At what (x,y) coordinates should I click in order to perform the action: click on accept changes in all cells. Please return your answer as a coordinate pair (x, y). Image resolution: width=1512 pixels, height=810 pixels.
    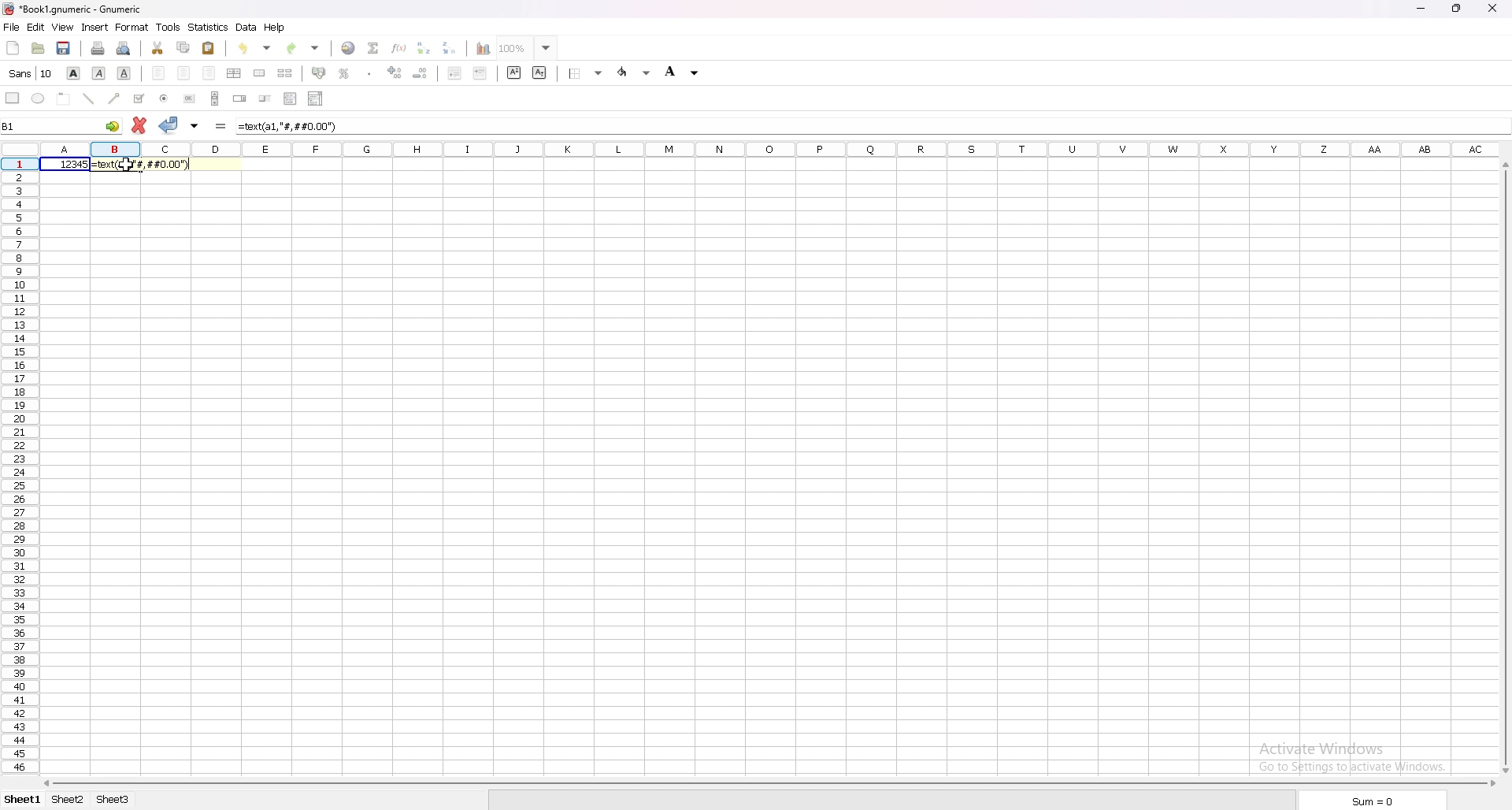
    Looking at the image, I should click on (195, 126).